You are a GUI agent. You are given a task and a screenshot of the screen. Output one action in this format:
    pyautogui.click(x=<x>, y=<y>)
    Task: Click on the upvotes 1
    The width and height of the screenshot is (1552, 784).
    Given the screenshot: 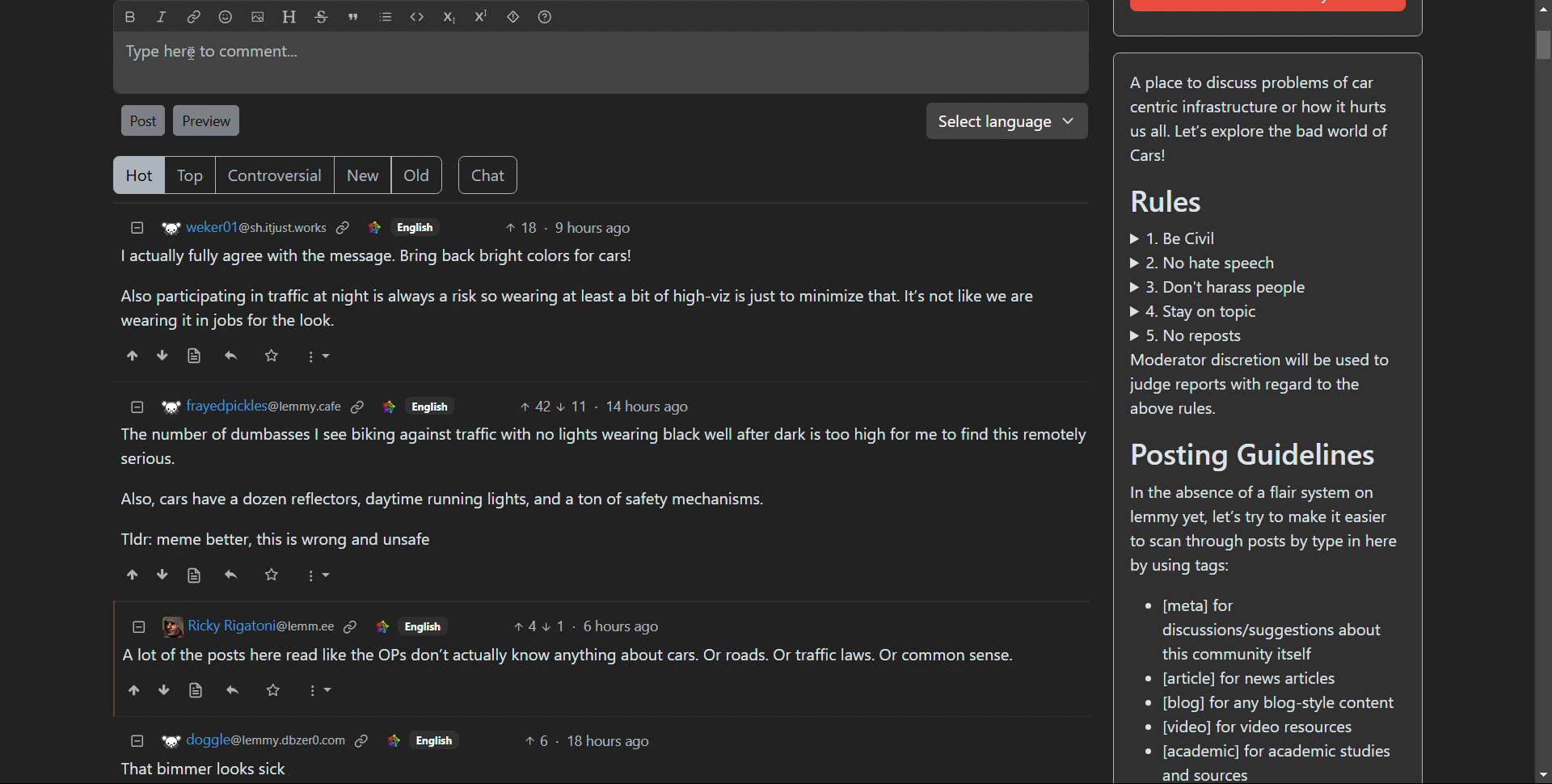 What is the action you would take?
    pyautogui.click(x=555, y=626)
    